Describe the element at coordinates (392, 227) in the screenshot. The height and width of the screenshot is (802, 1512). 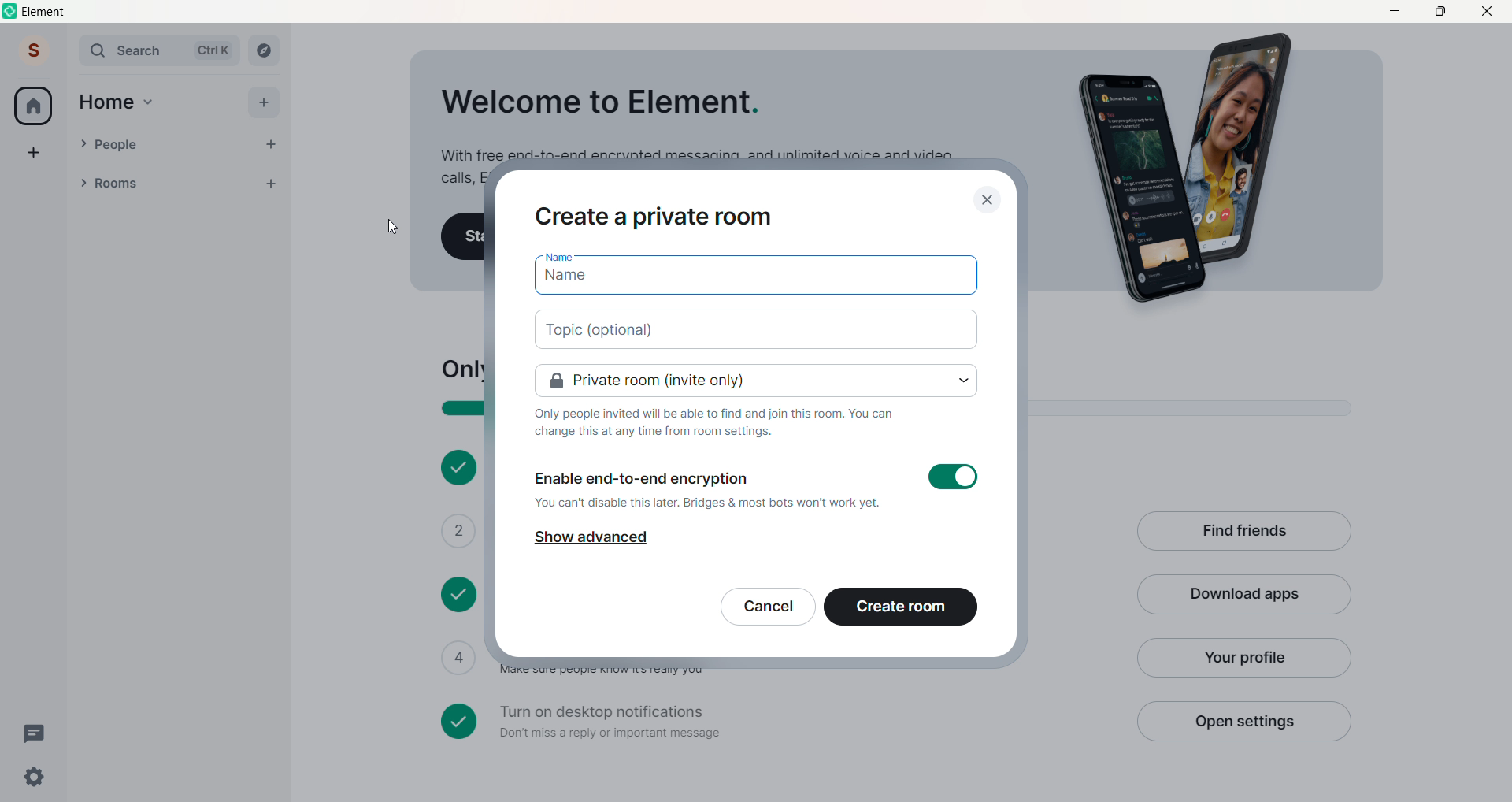
I see `cursor` at that location.